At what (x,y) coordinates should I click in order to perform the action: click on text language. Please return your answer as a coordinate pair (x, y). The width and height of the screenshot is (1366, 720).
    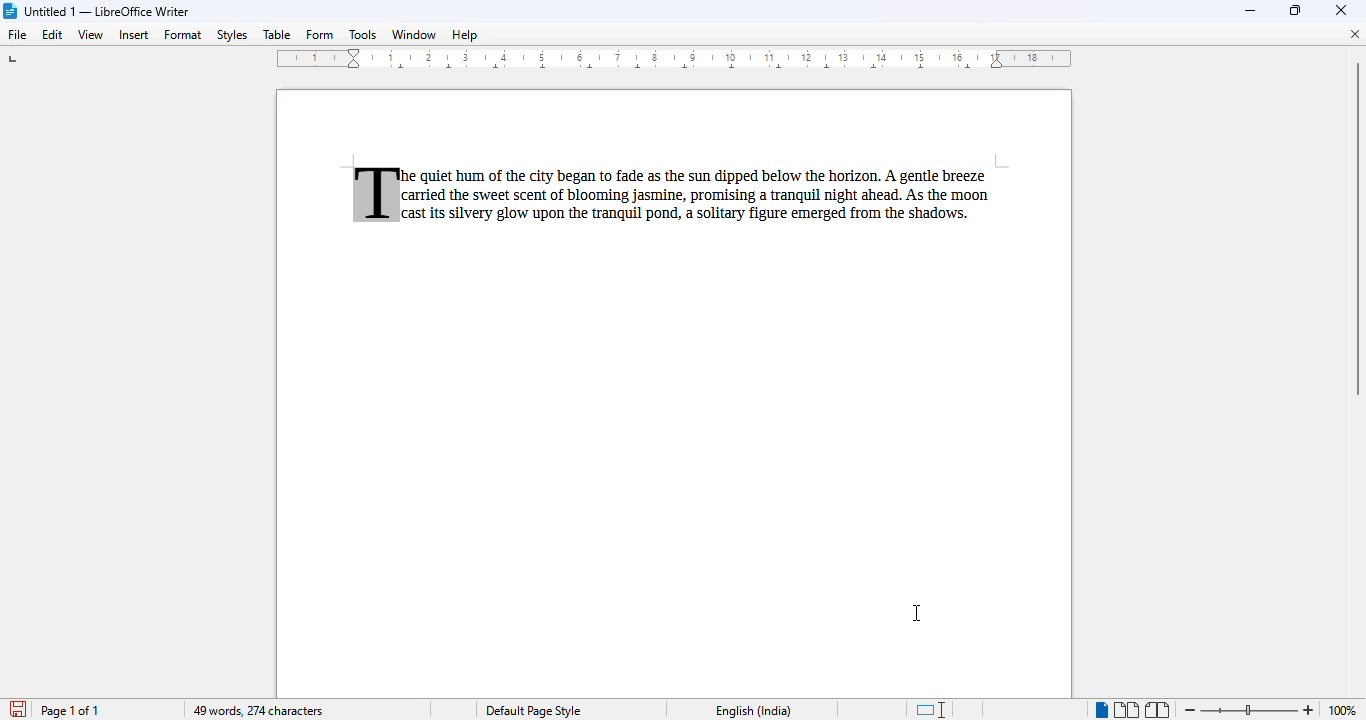
    Looking at the image, I should click on (753, 710).